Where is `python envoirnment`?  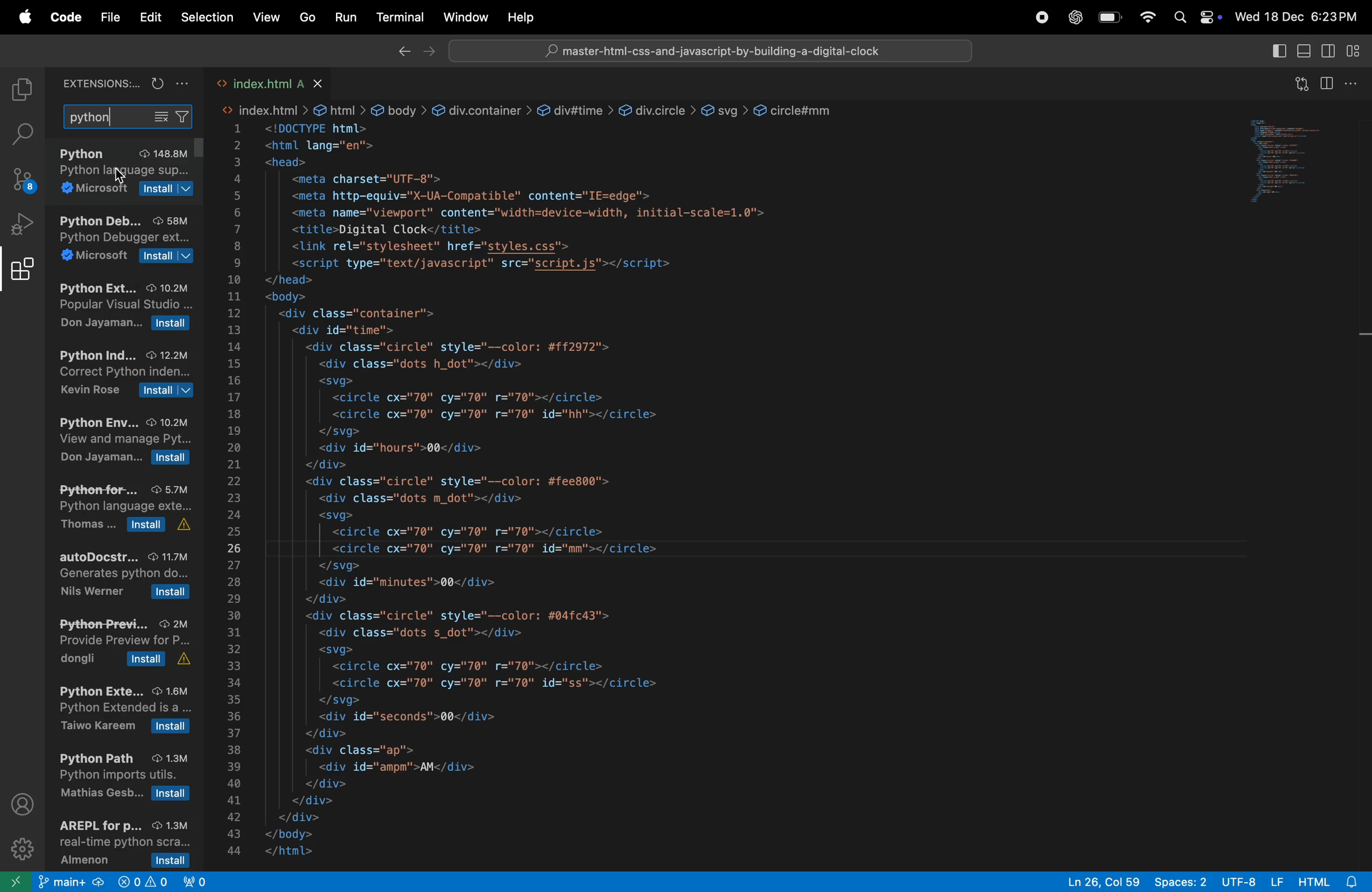
python envoirnment is located at coordinates (123, 444).